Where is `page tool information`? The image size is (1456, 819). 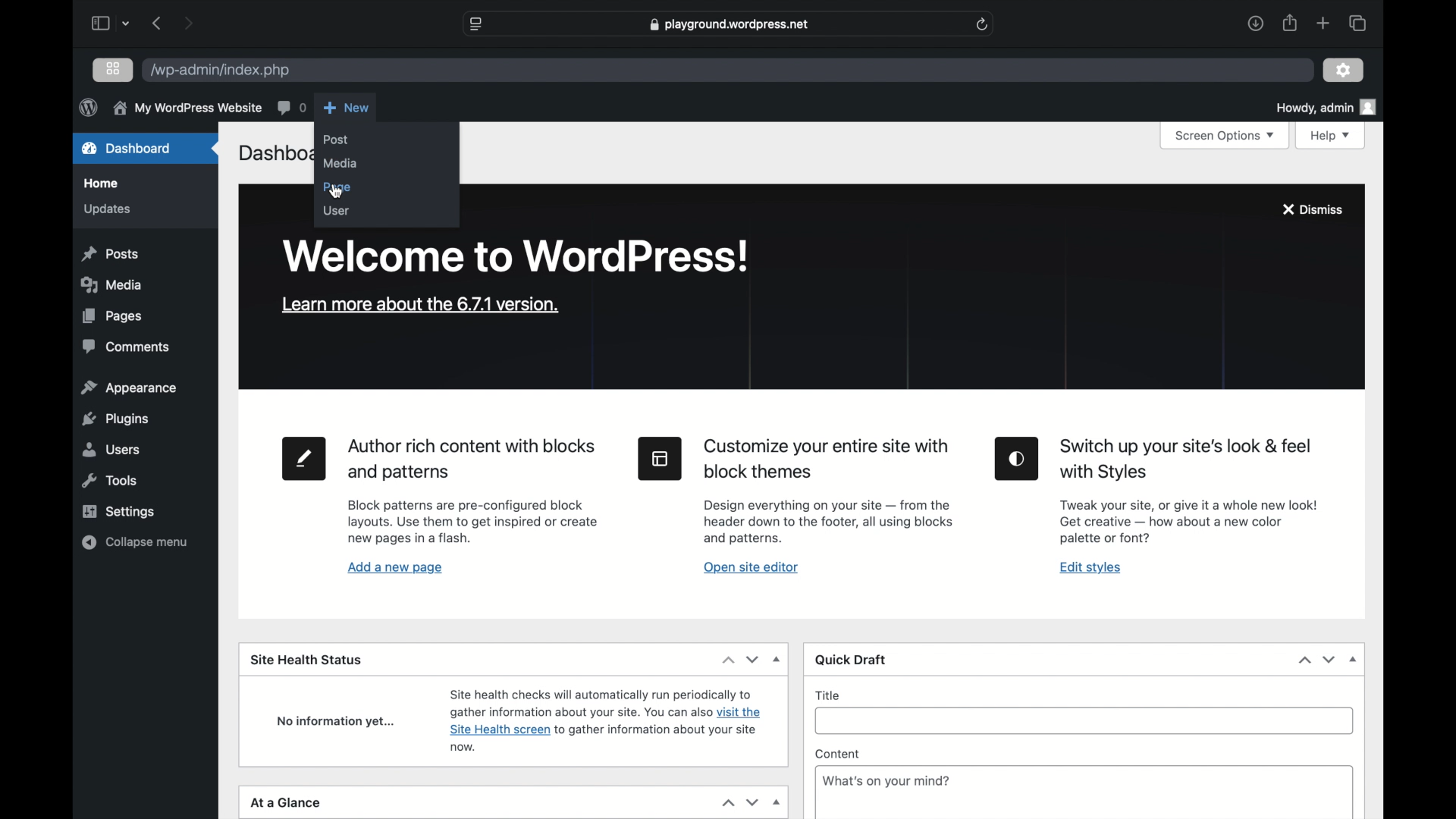 page tool information is located at coordinates (473, 522).